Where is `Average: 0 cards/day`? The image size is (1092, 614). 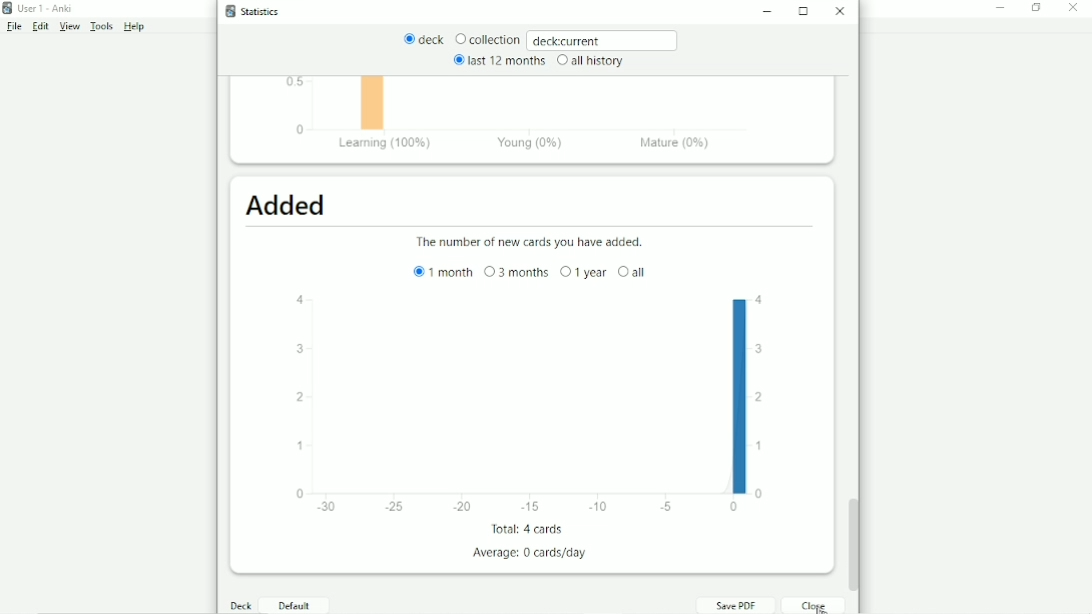 Average: 0 cards/day is located at coordinates (539, 554).